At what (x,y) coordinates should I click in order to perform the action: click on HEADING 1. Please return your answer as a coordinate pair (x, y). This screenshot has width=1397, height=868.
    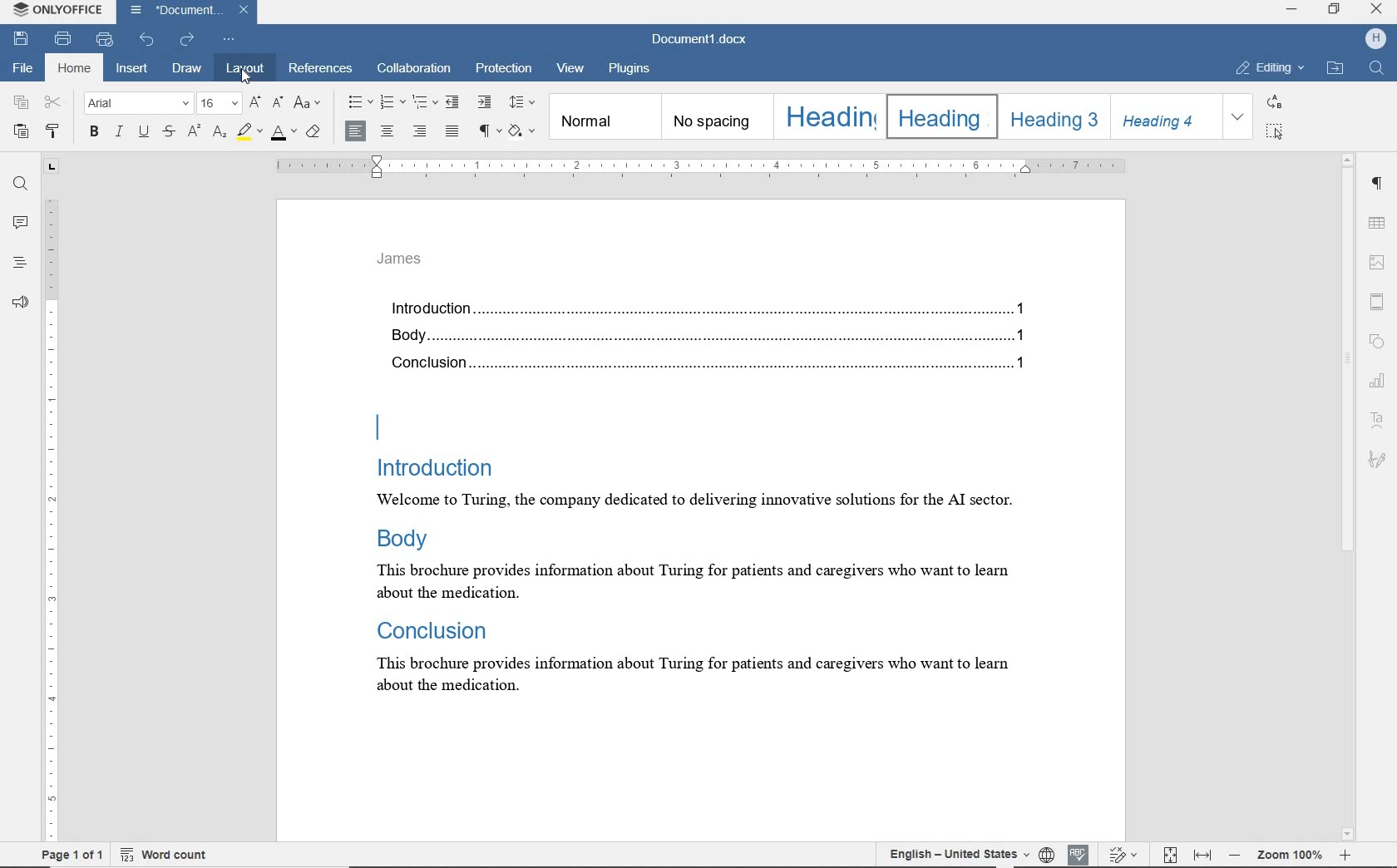
    Looking at the image, I should click on (830, 117).